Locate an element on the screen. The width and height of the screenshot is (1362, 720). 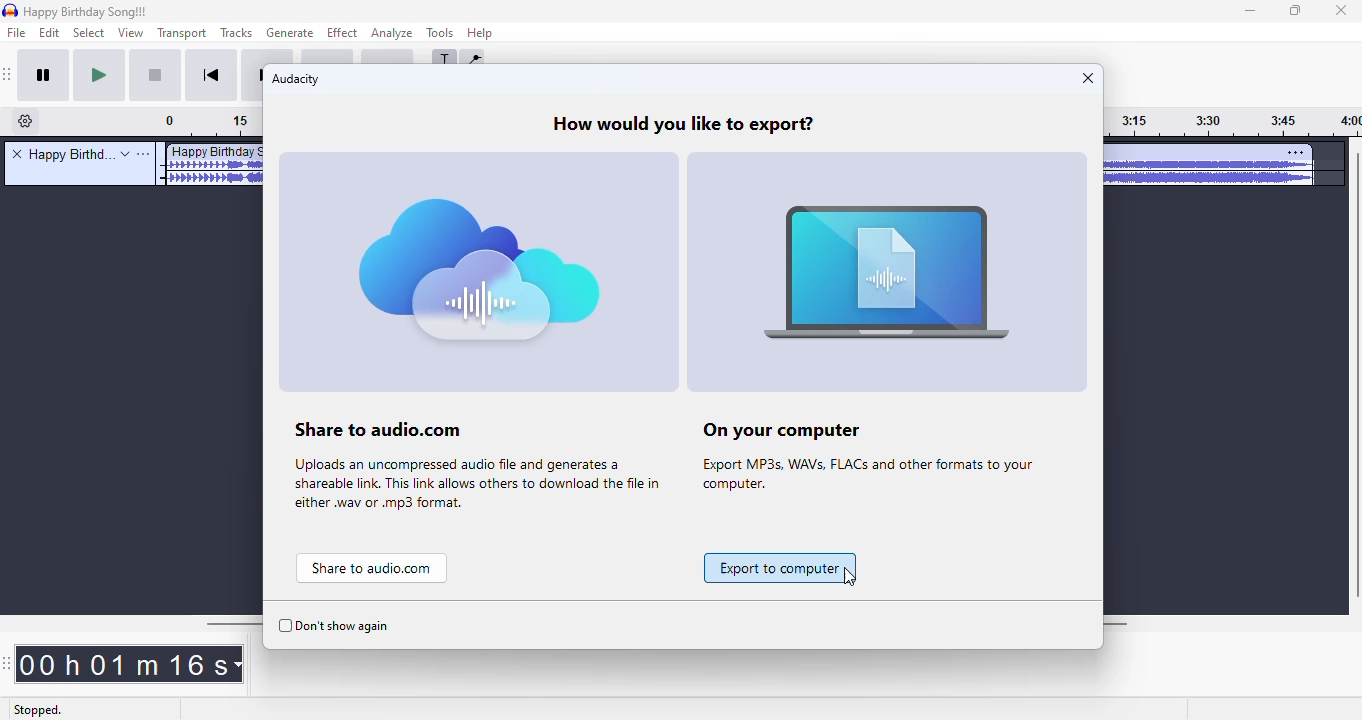
close is located at coordinates (1341, 11).